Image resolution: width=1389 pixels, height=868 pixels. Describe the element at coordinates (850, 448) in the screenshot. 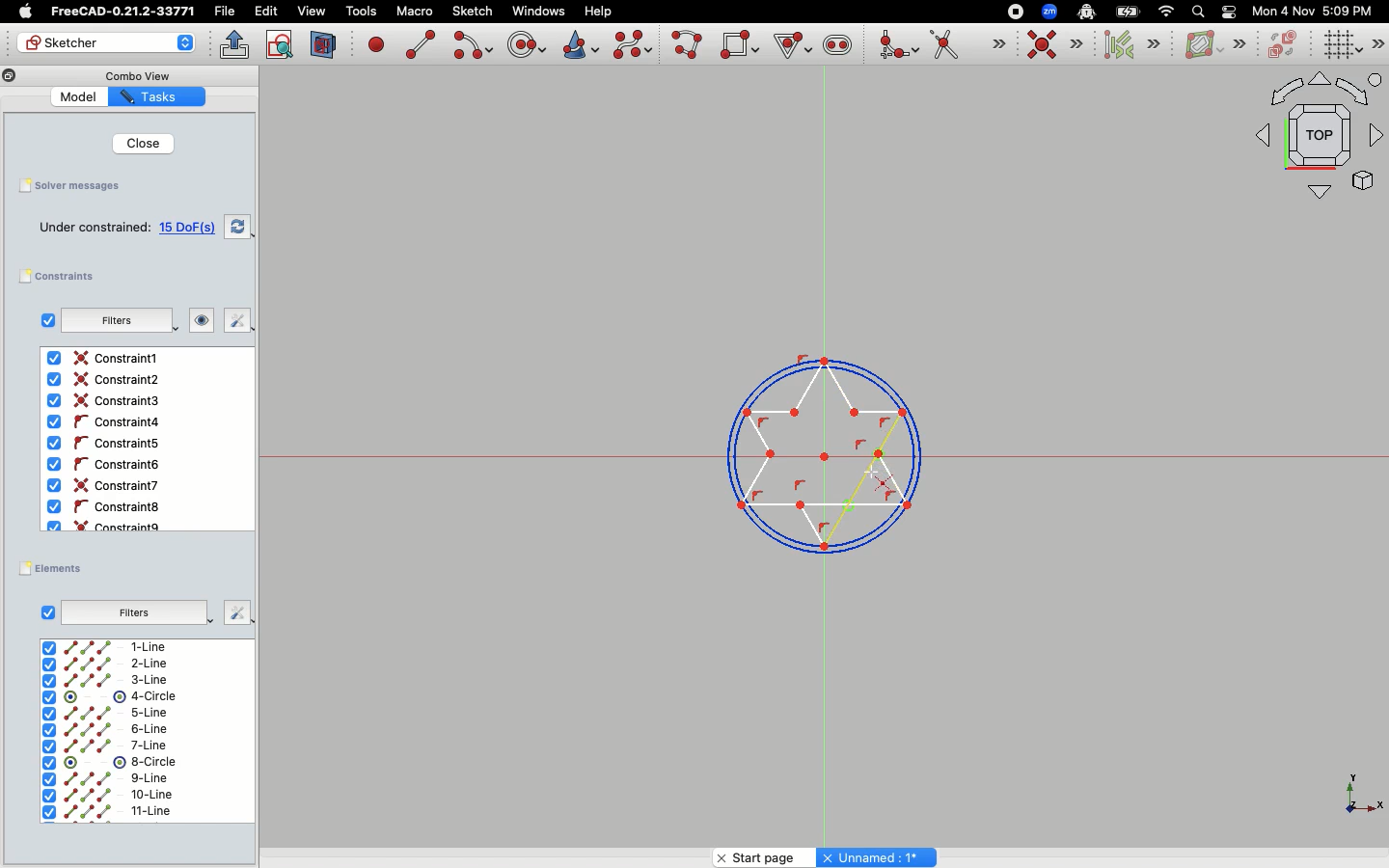

I see `Line selected` at that location.